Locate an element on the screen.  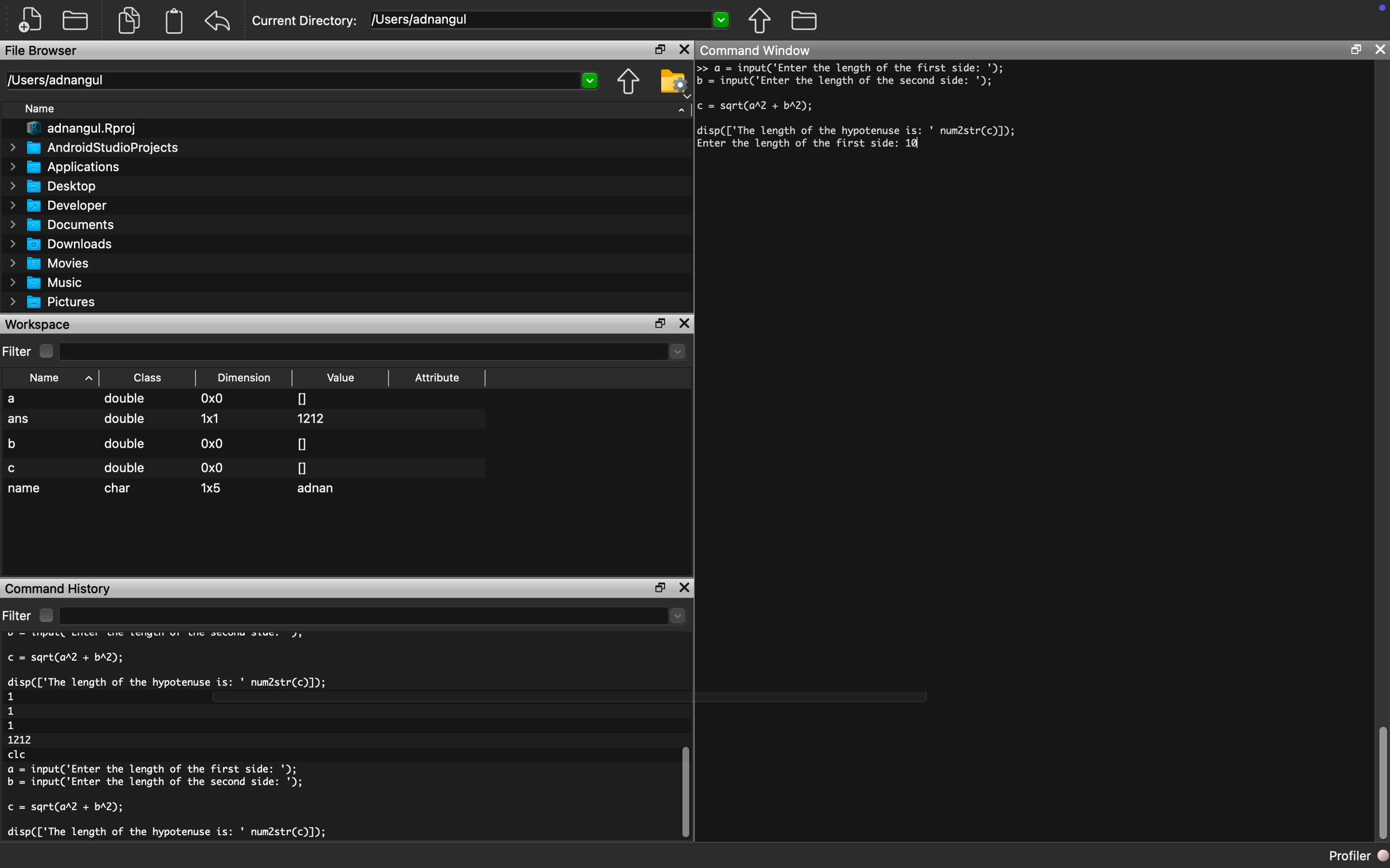
Users/adnangul 2 is located at coordinates (301, 81).